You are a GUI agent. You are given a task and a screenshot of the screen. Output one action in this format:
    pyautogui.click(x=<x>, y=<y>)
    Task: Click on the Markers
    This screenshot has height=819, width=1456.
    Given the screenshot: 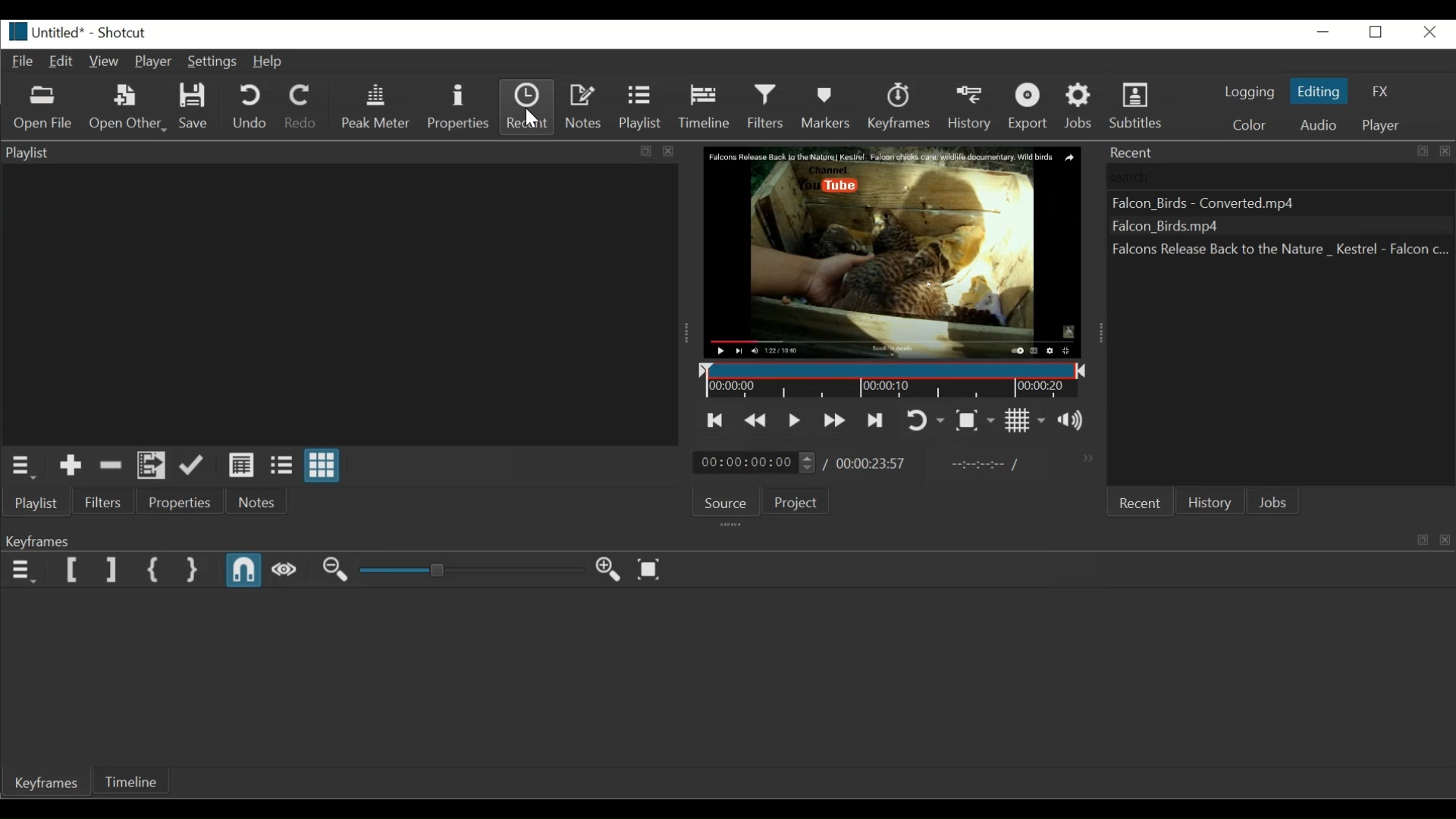 What is the action you would take?
    pyautogui.click(x=829, y=107)
    